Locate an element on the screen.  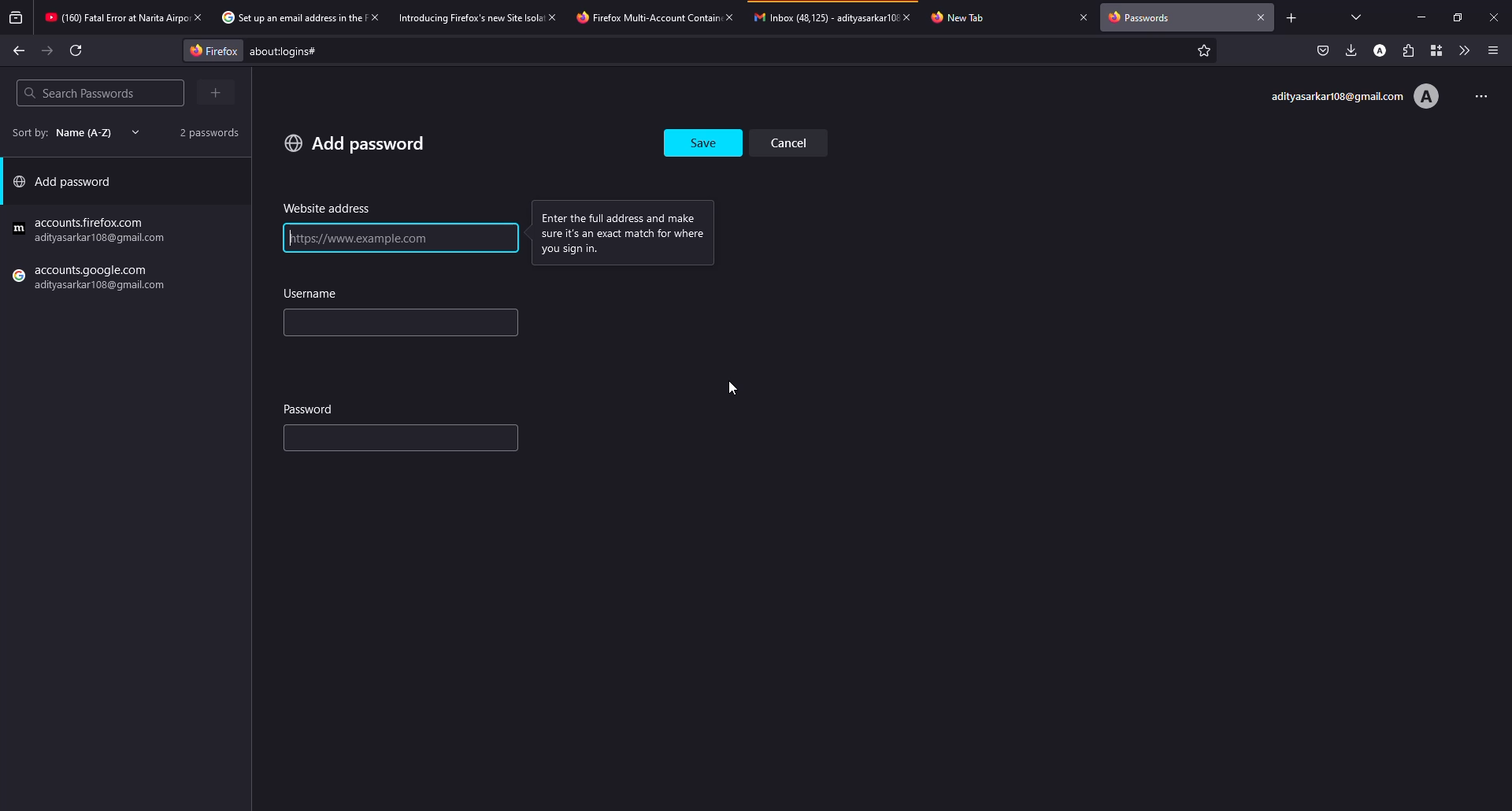
close is located at coordinates (912, 17).